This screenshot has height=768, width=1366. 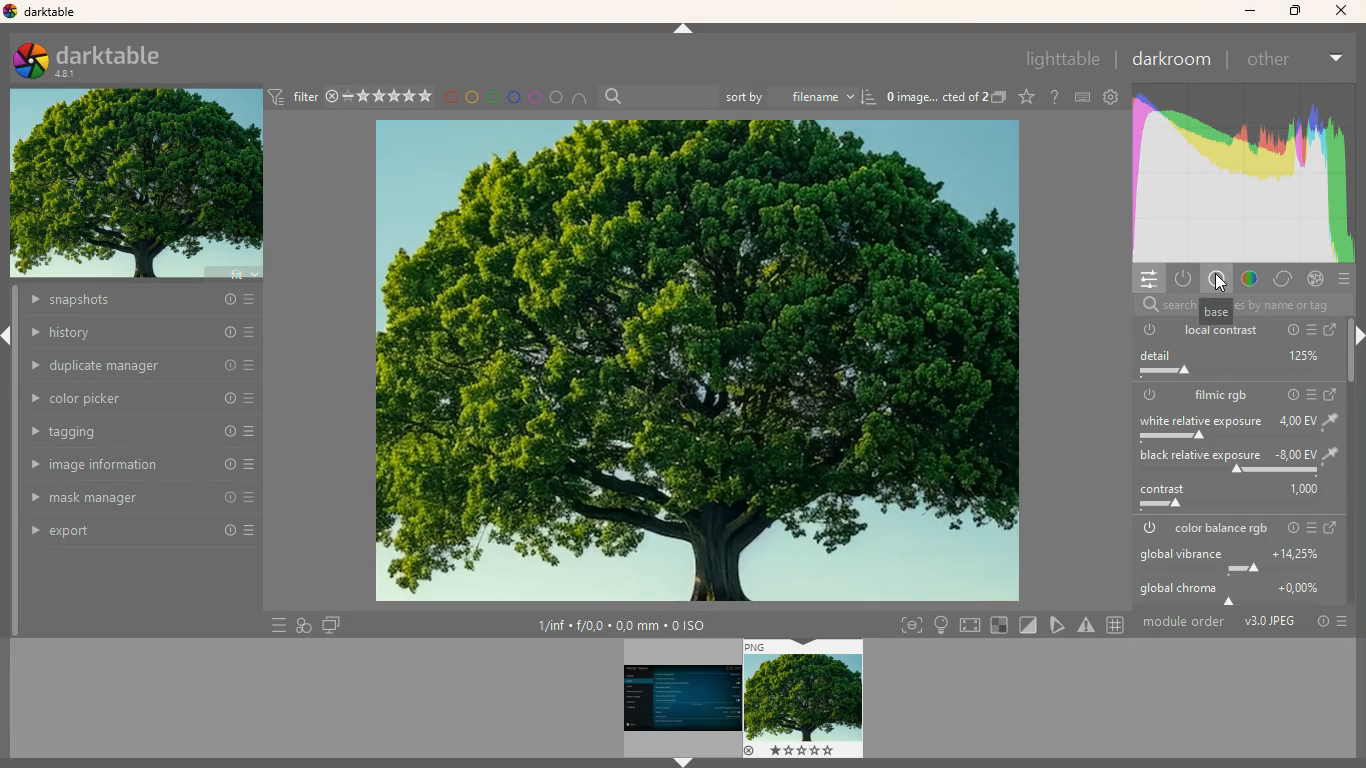 I want to click on image description, so click(x=937, y=95).